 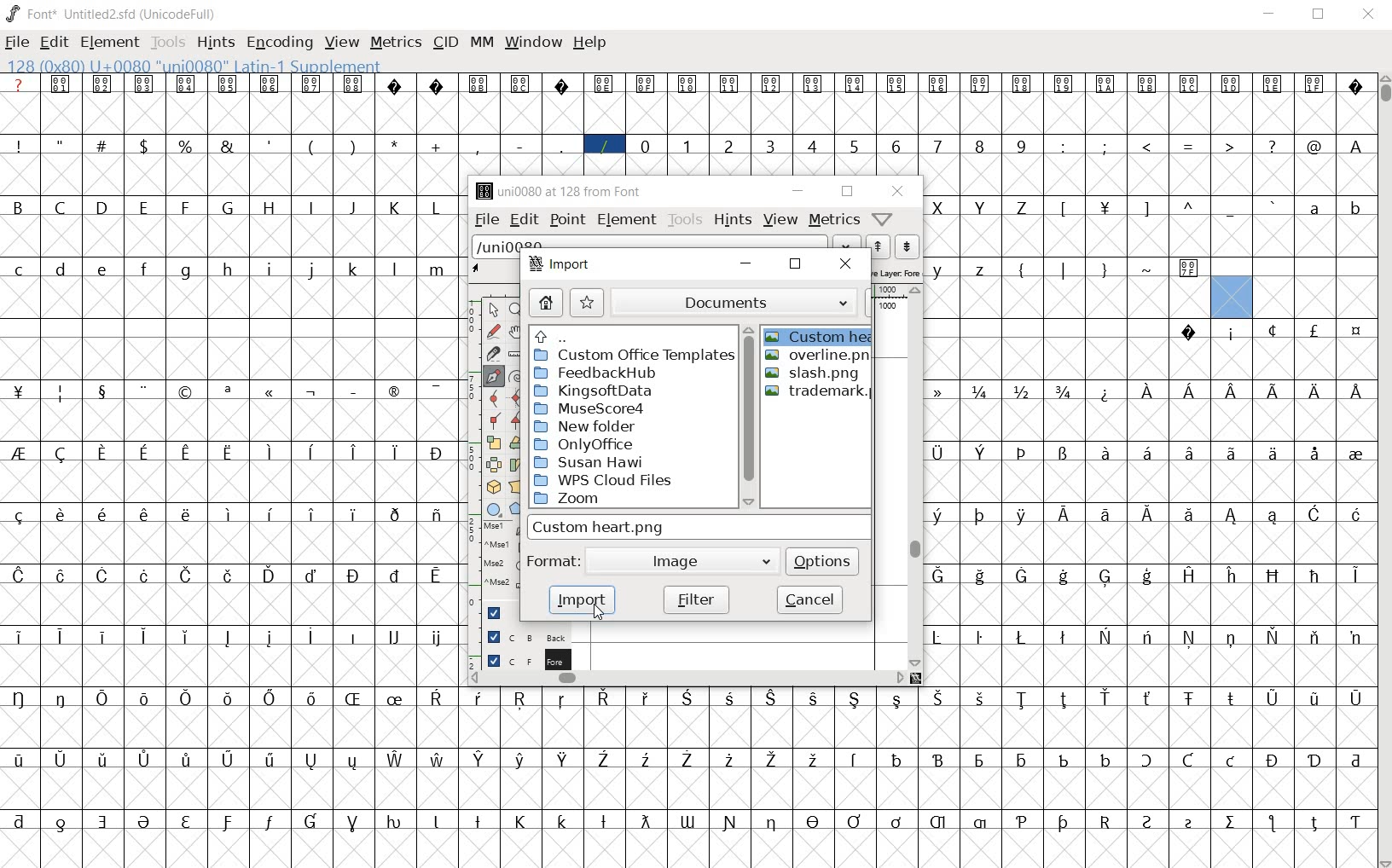 I want to click on glyph, so click(x=435, y=391).